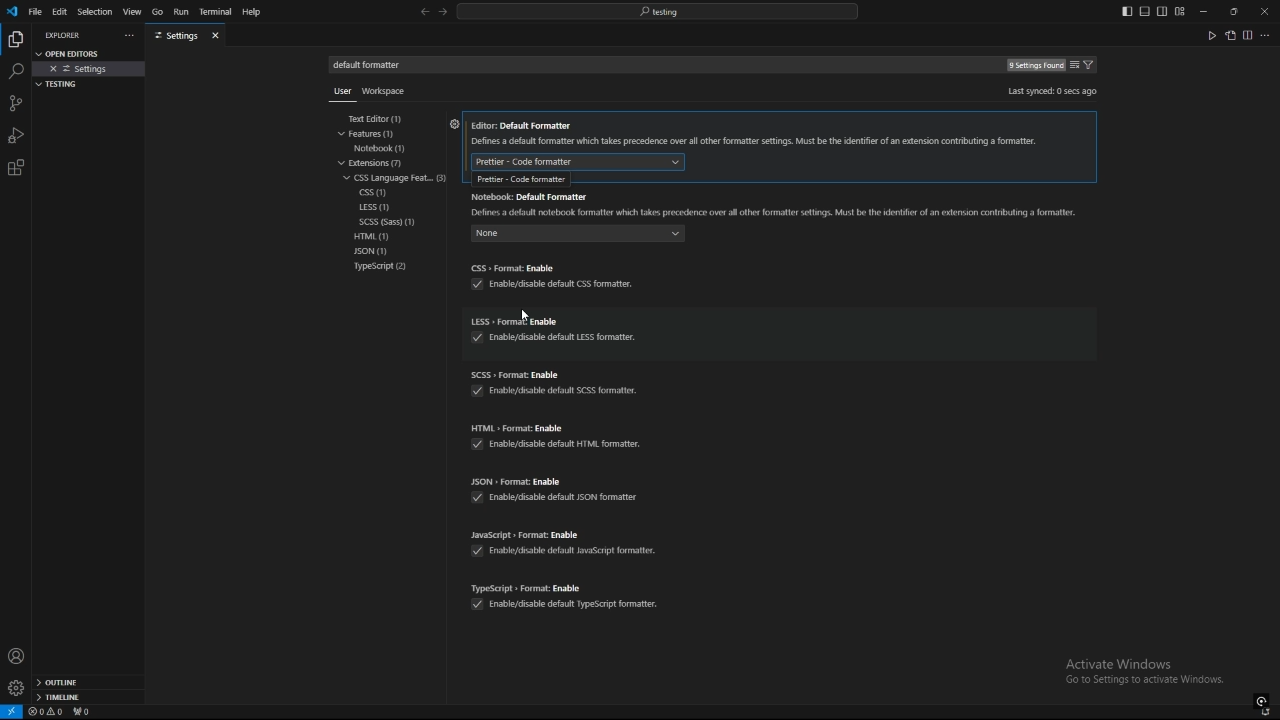 This screenshot has height=720, width=1280. What do you see at coordinates (383, 252) in the screenshot?
I see `json` at bounding box center [383, 252].